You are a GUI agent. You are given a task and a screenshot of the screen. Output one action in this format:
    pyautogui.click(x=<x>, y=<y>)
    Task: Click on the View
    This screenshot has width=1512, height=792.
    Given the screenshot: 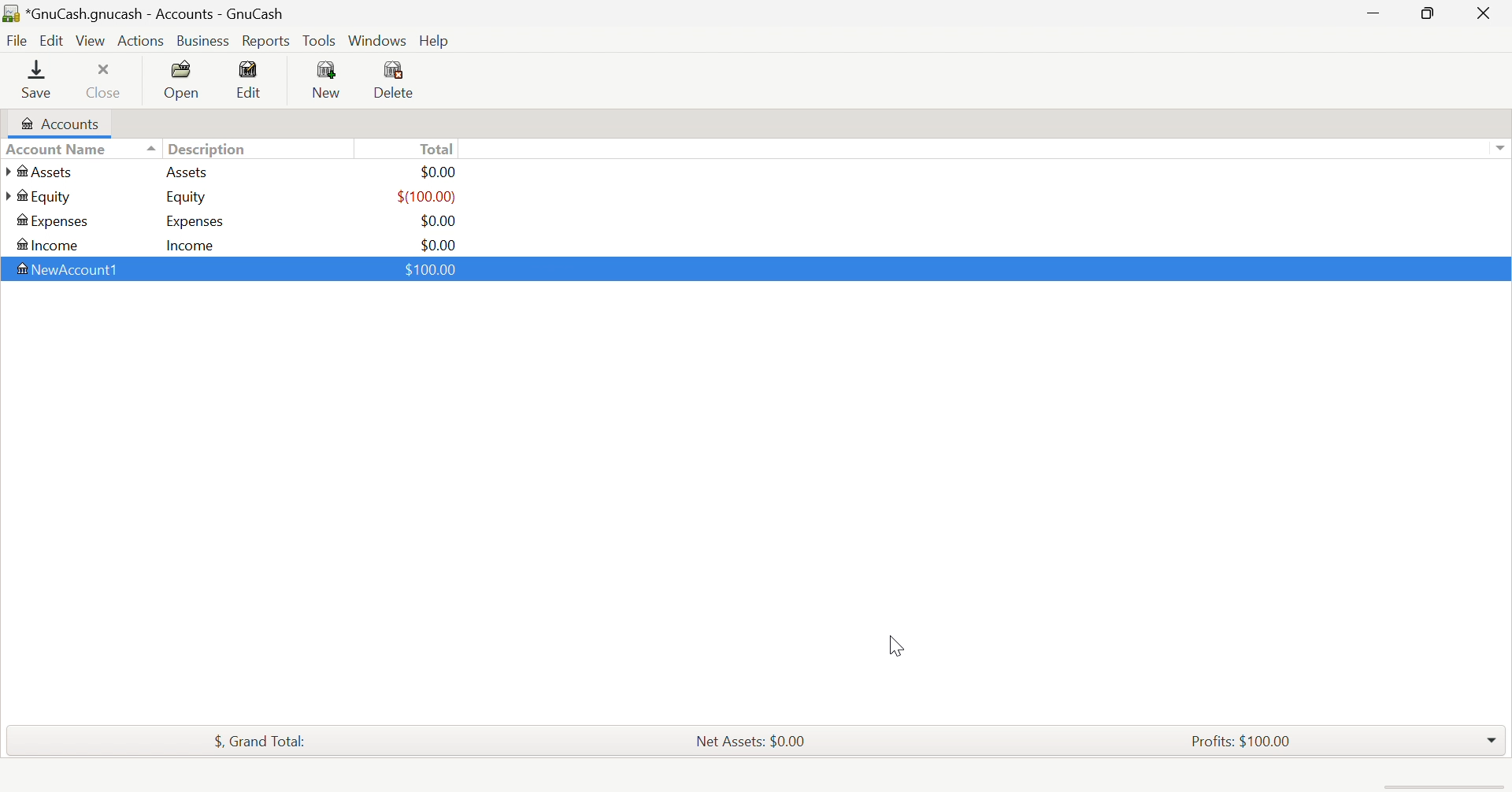 What is the action you would take?
    pyautogui.click(x=91, y=39)
    